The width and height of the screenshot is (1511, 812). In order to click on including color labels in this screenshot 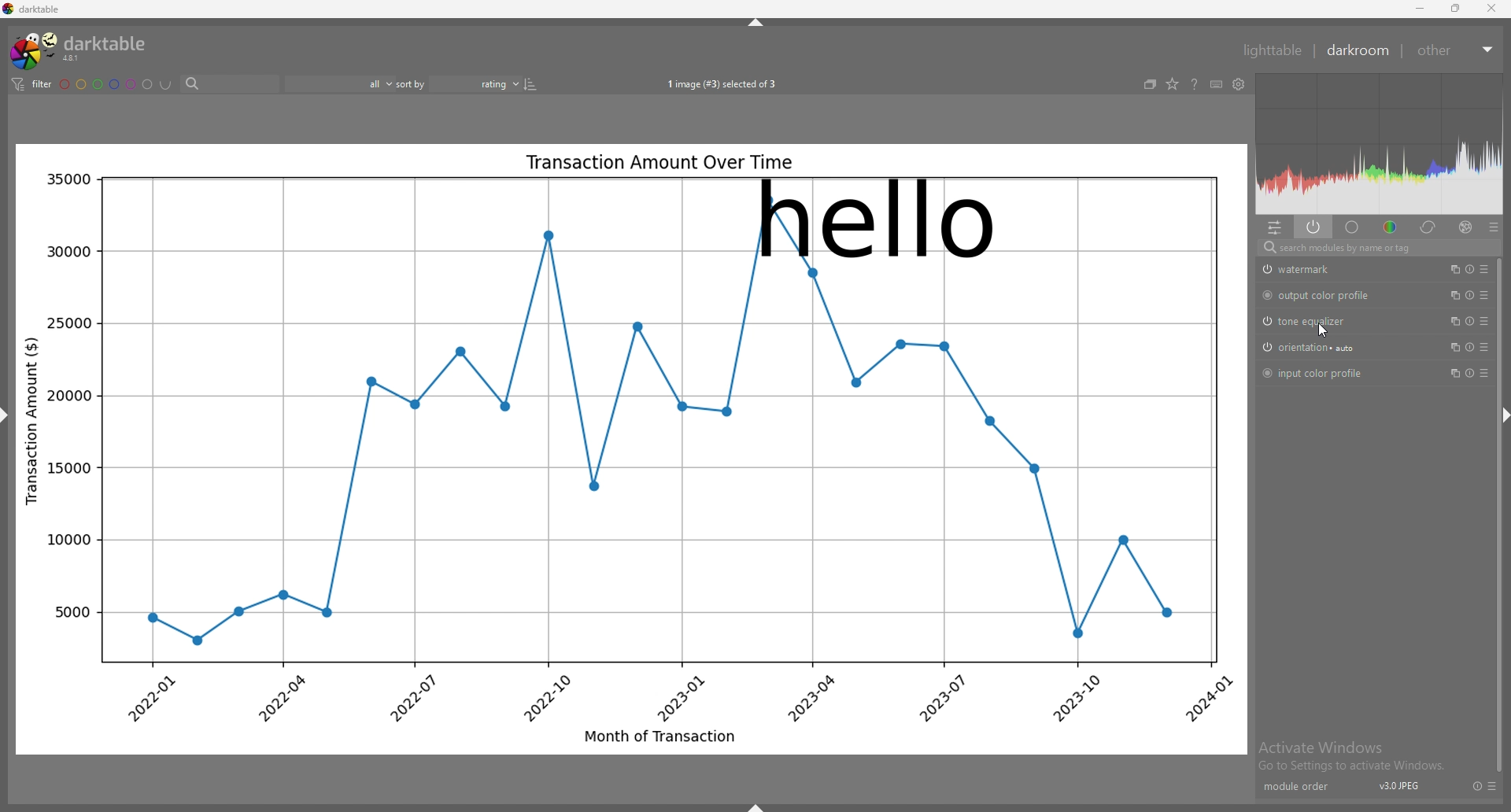, I will do `click(166, 85)`.